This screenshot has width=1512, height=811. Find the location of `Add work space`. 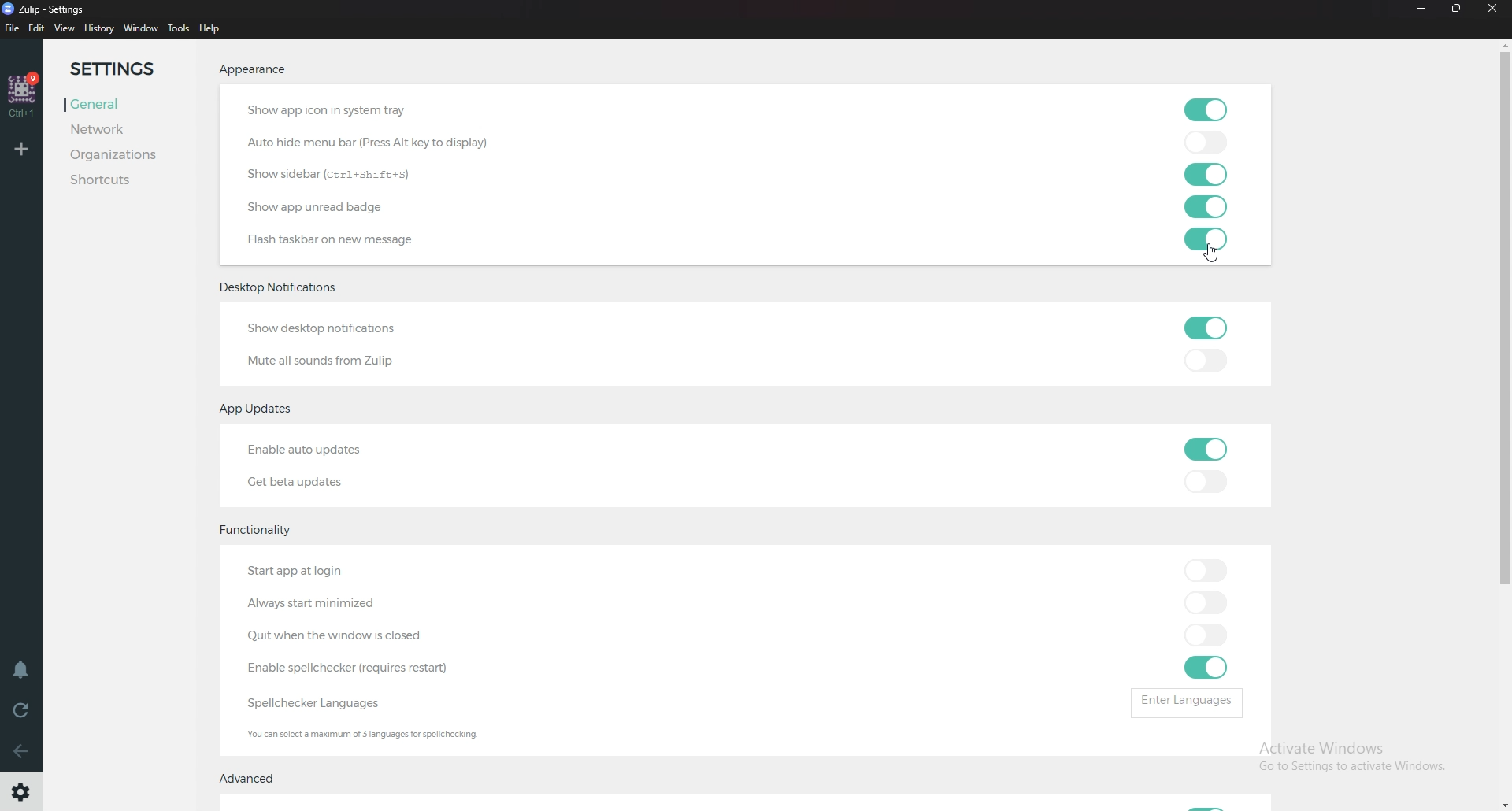

Add work space is located at coordinates (23, 148).